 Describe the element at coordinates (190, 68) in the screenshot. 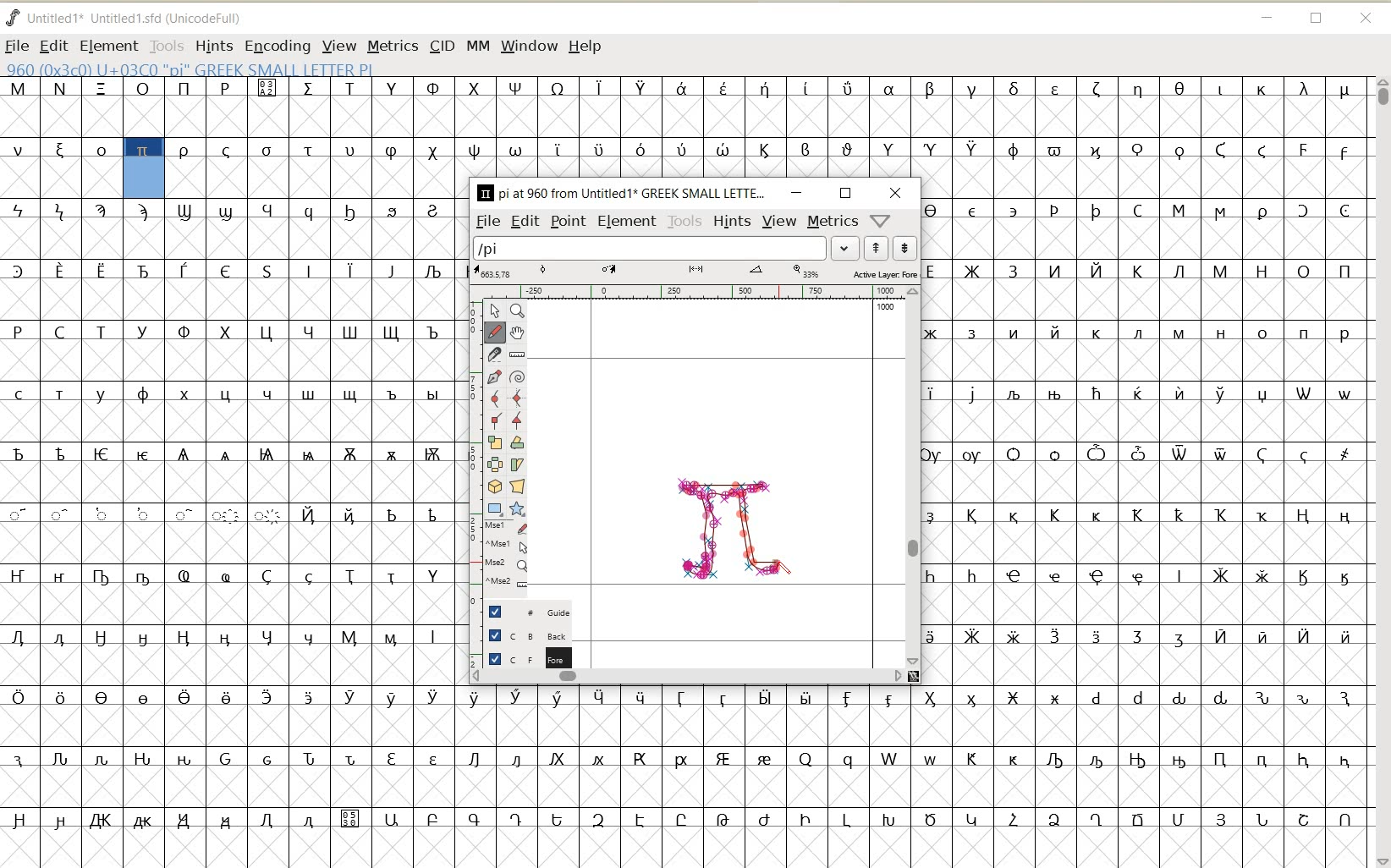

I see `GLYPHY INFO` at that location.